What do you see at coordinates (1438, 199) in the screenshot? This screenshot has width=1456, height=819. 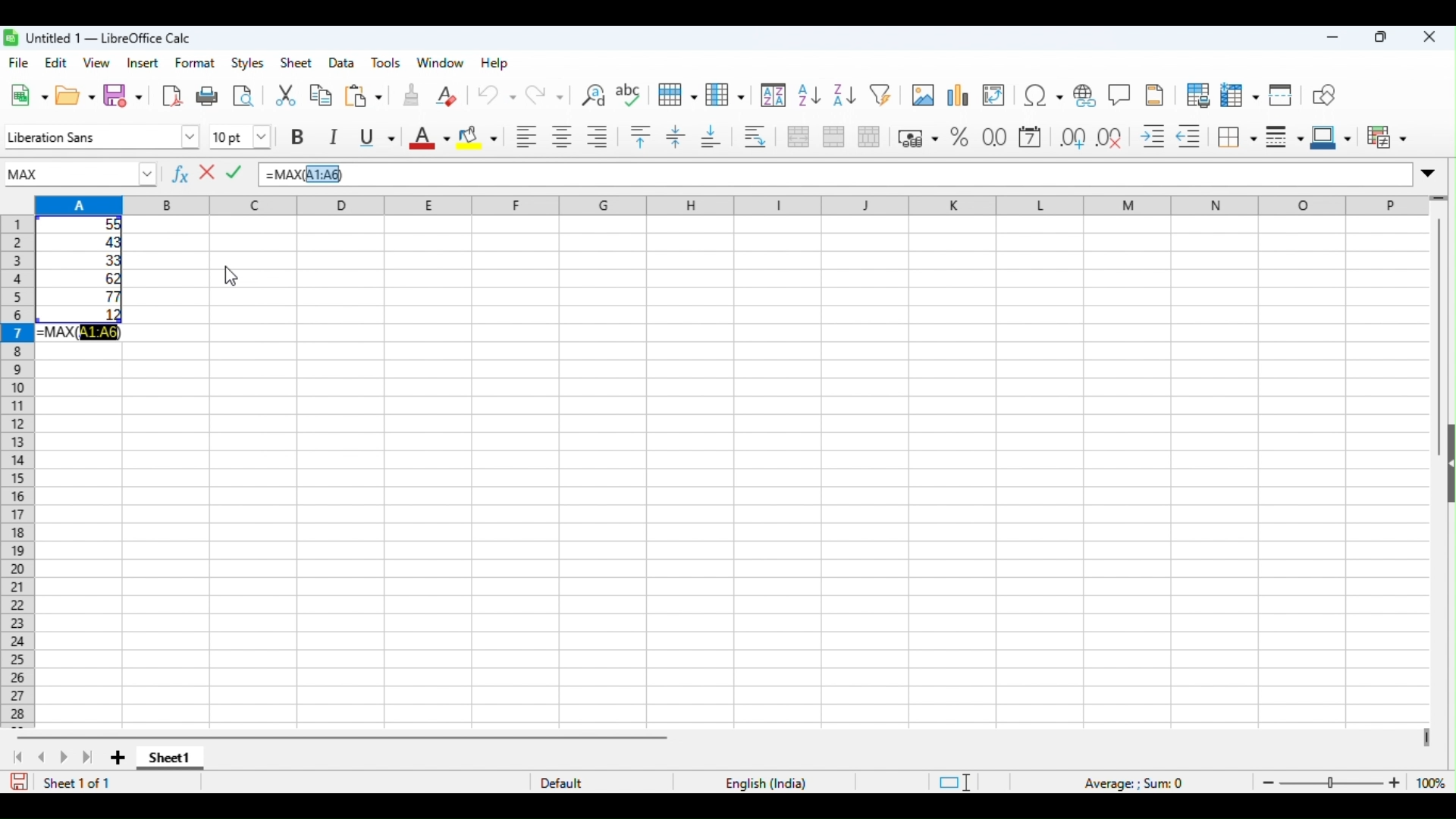 I see `drag to view more rows` at bounding box center [1438, 199].